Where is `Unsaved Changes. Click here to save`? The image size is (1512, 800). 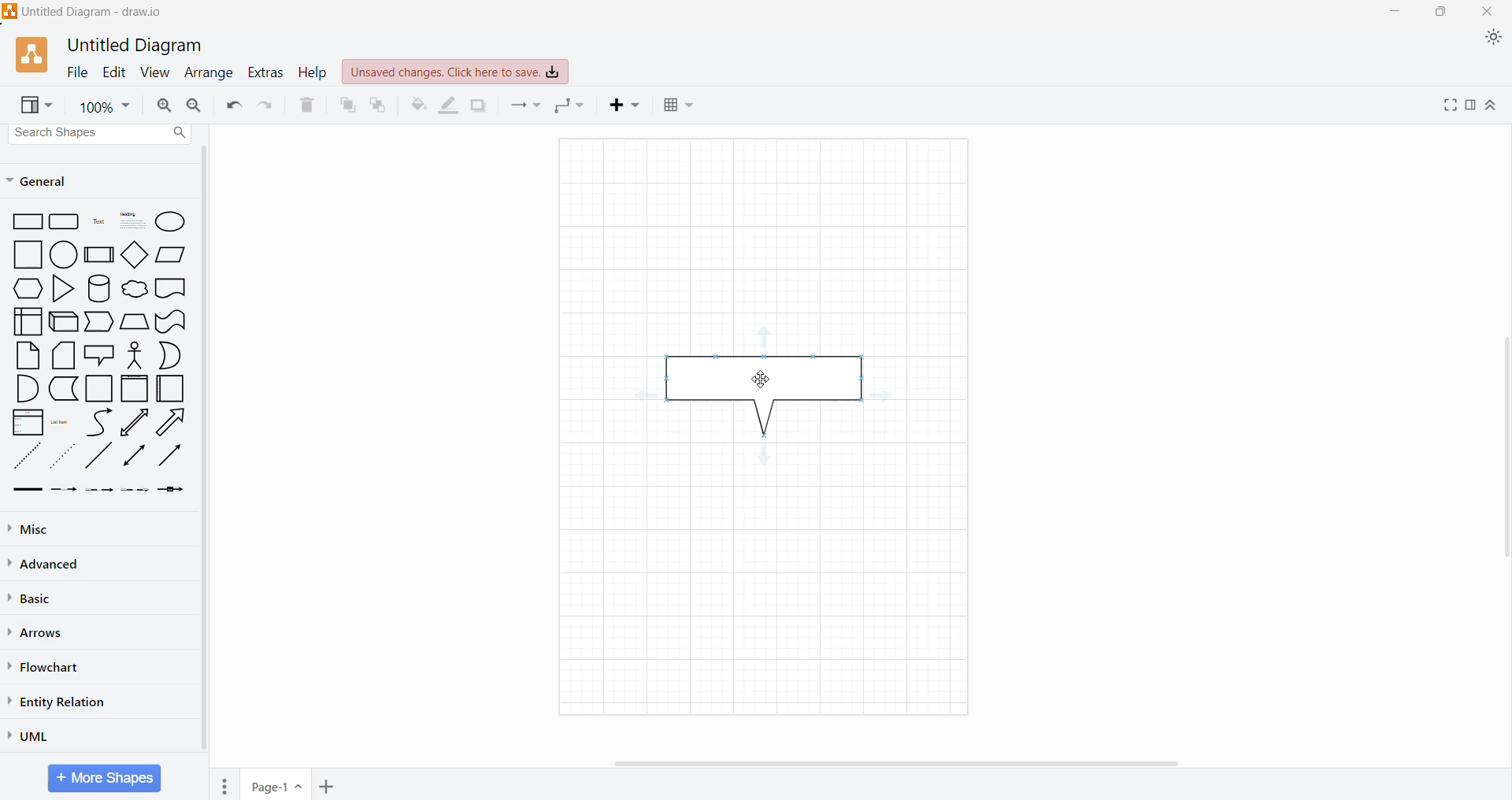 Unsaved Changes. Click here to save is located at coordinates (456, 72).